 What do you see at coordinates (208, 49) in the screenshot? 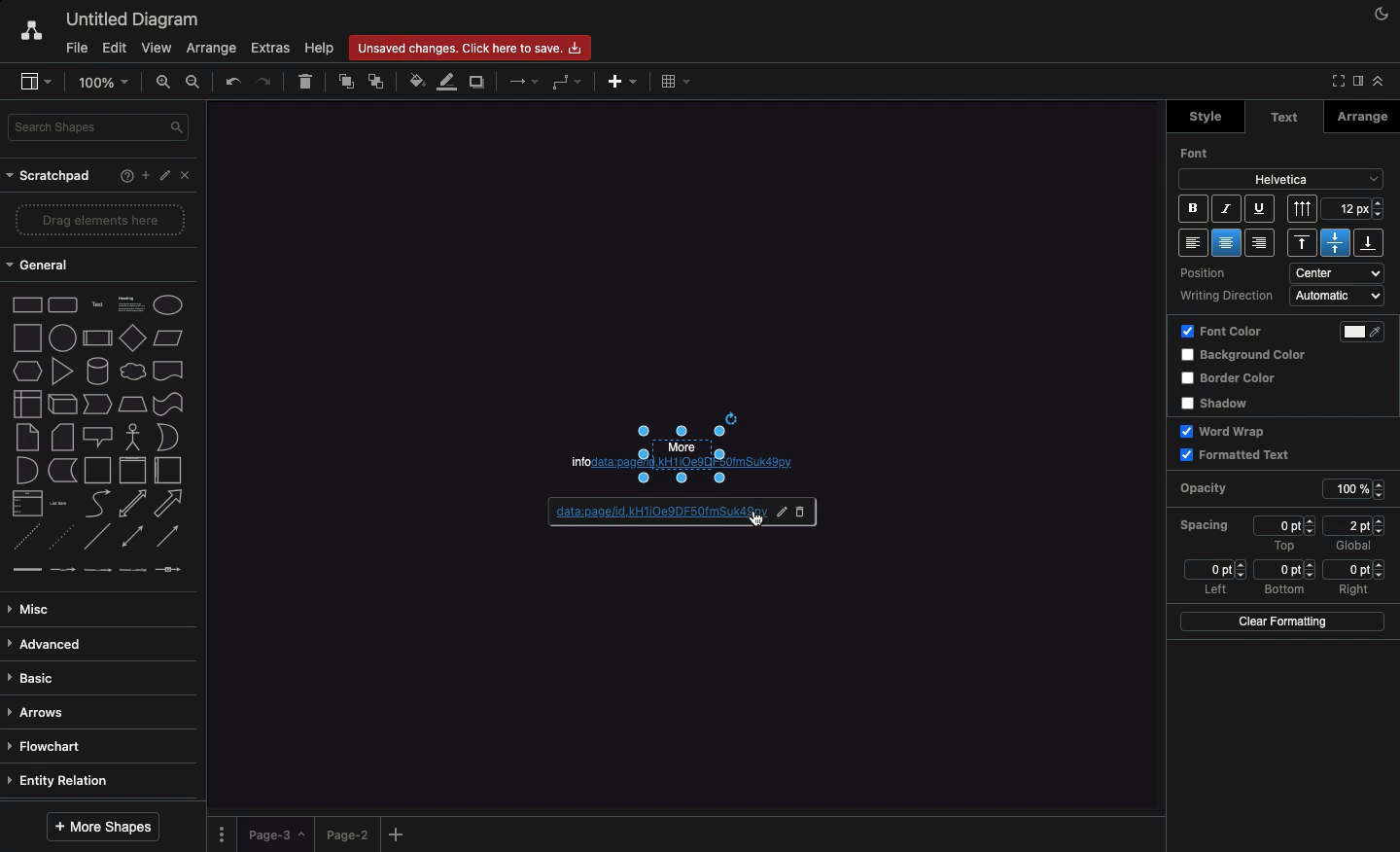
I see `Arrange` at bounding box center [208, 49].